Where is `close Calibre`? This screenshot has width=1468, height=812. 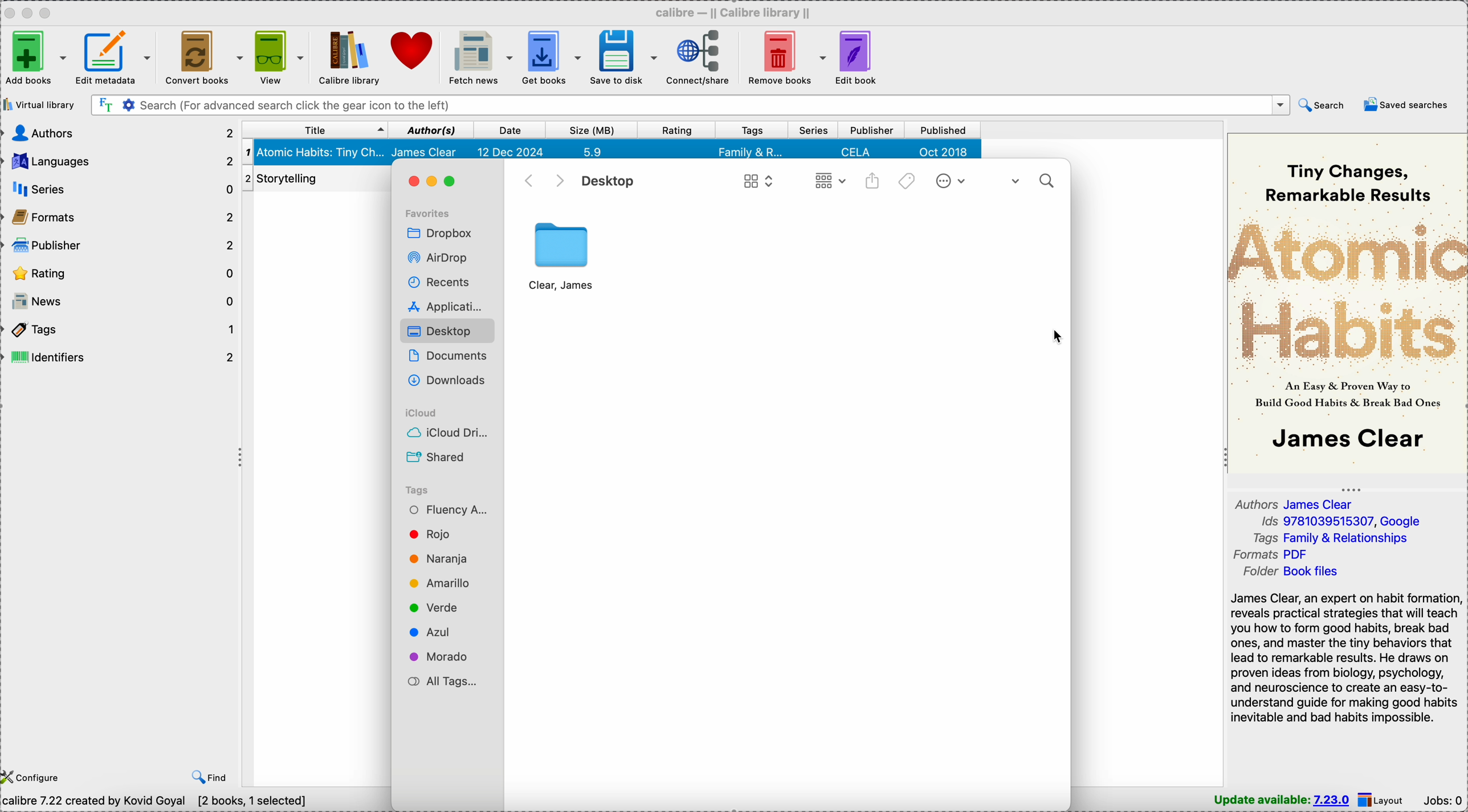
close Calibre is located at coordinates (9, 12).